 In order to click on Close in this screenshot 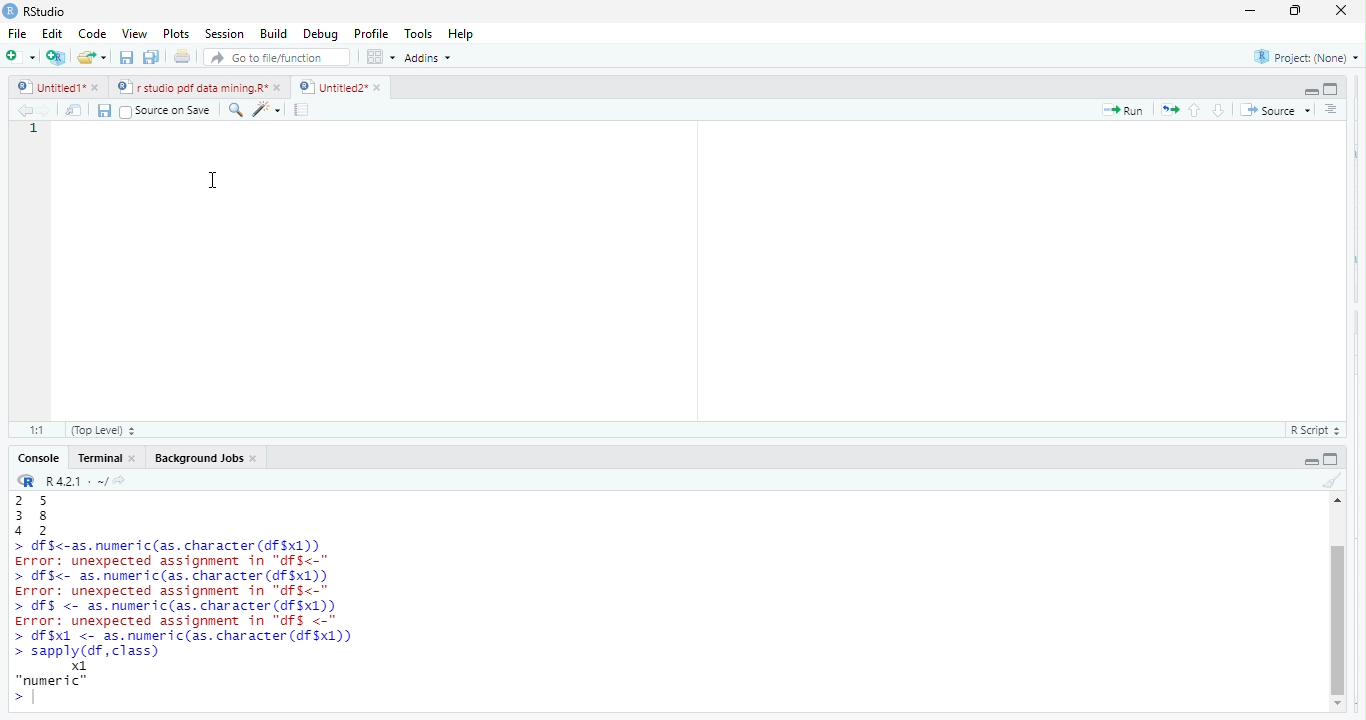, I will do `click(1337, 11)`.